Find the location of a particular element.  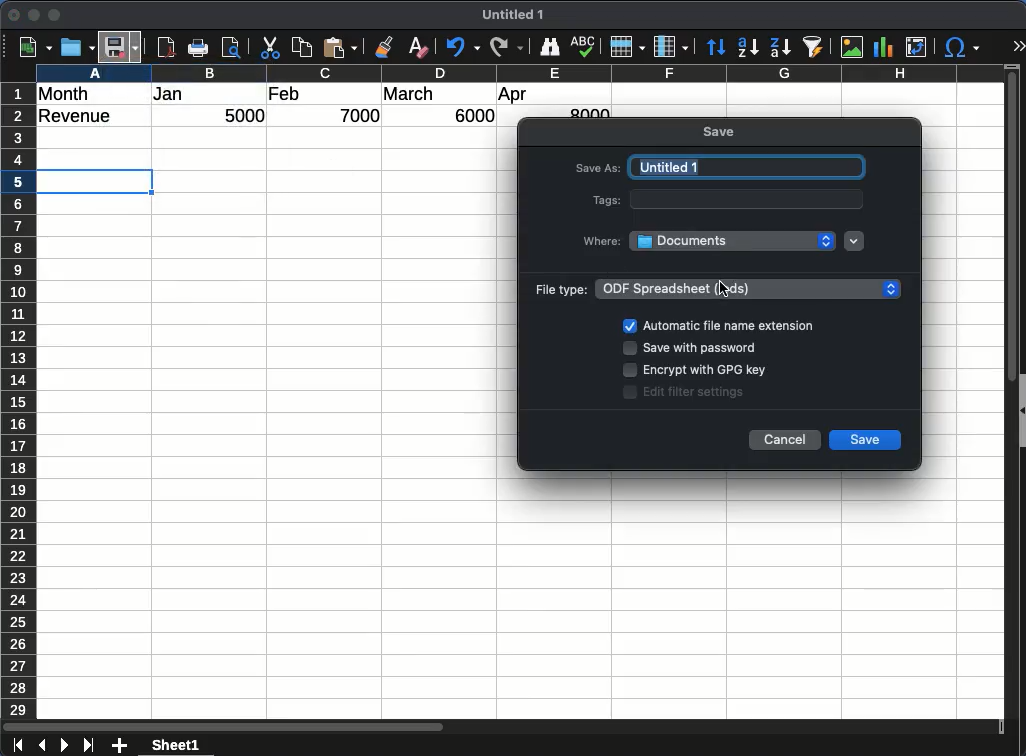

print preview is located at coordinates (233, 49).